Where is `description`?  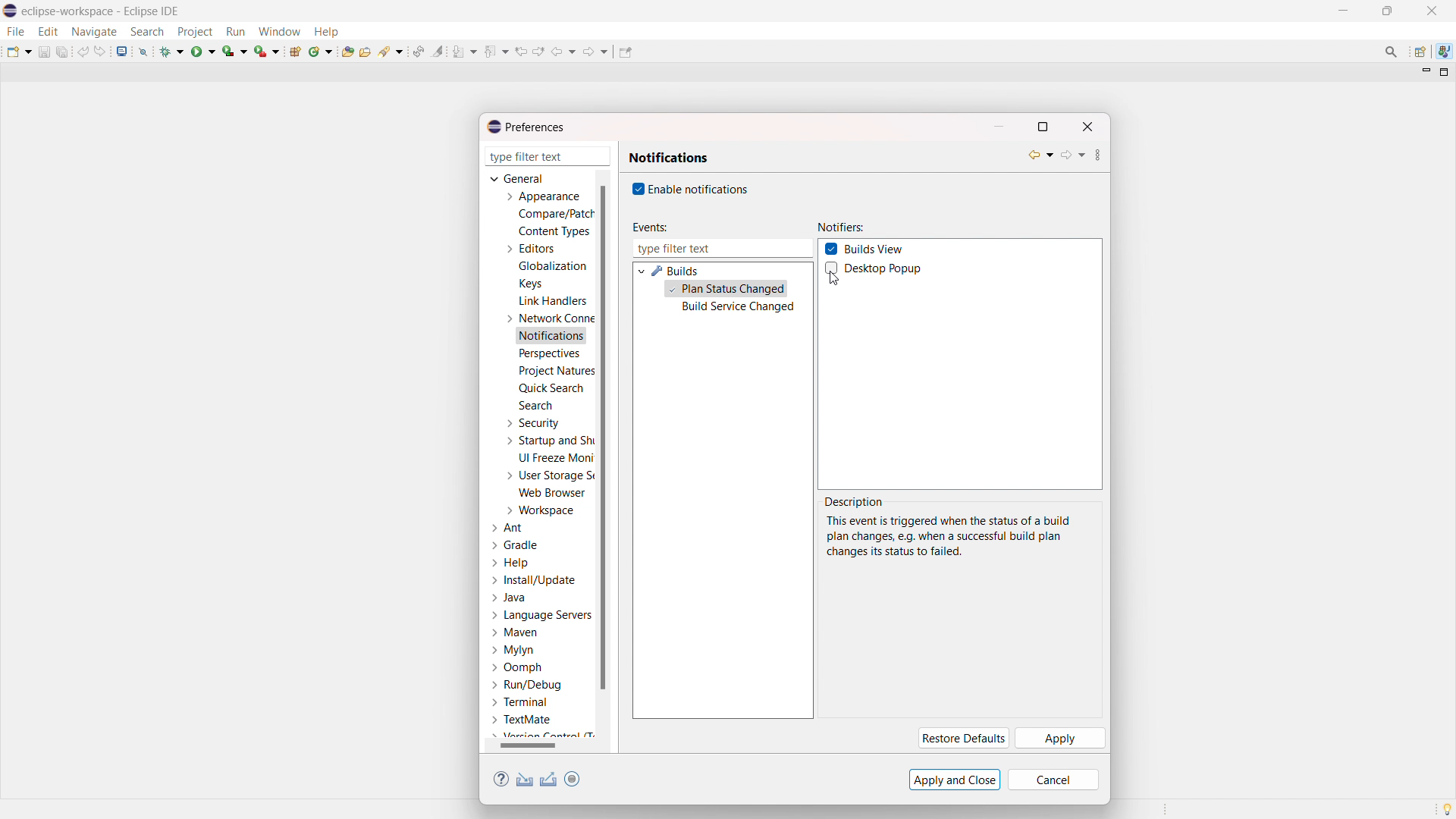
description is located at coordinates (855, 502).